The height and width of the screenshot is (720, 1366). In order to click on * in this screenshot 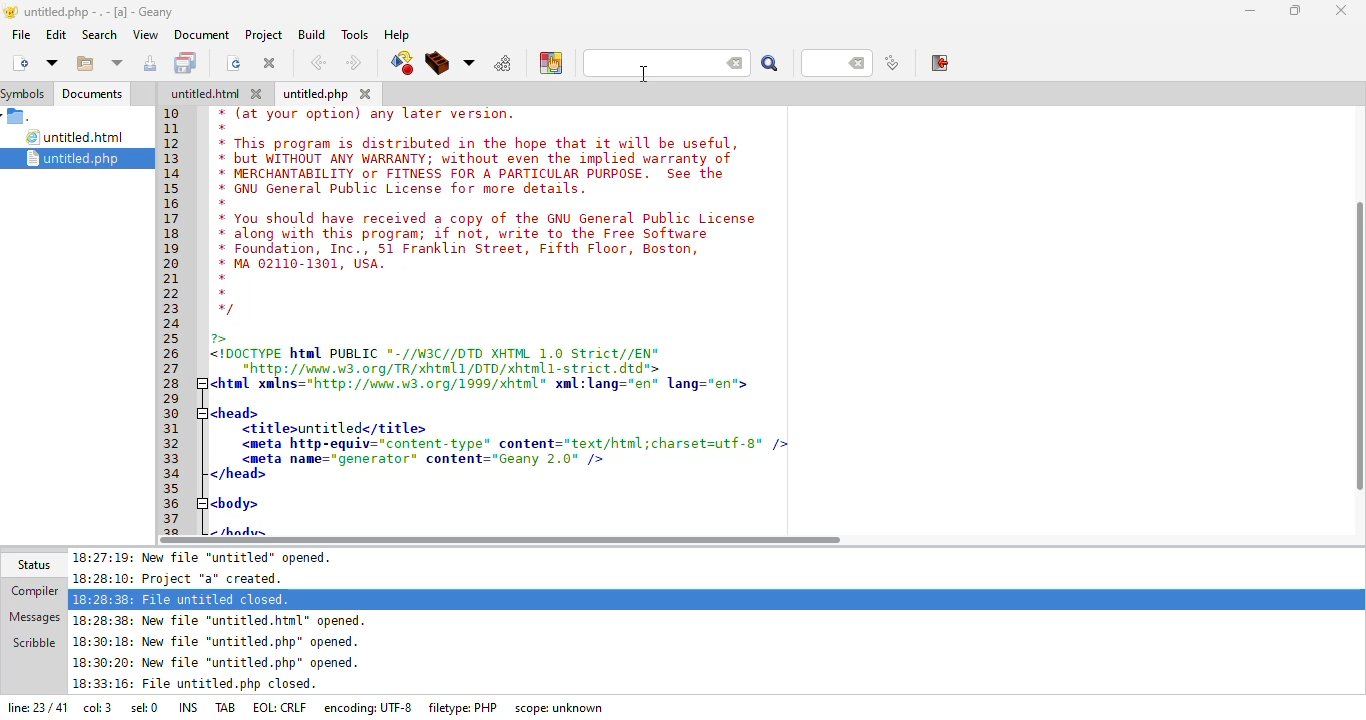, I will do `click(223, 128)`.